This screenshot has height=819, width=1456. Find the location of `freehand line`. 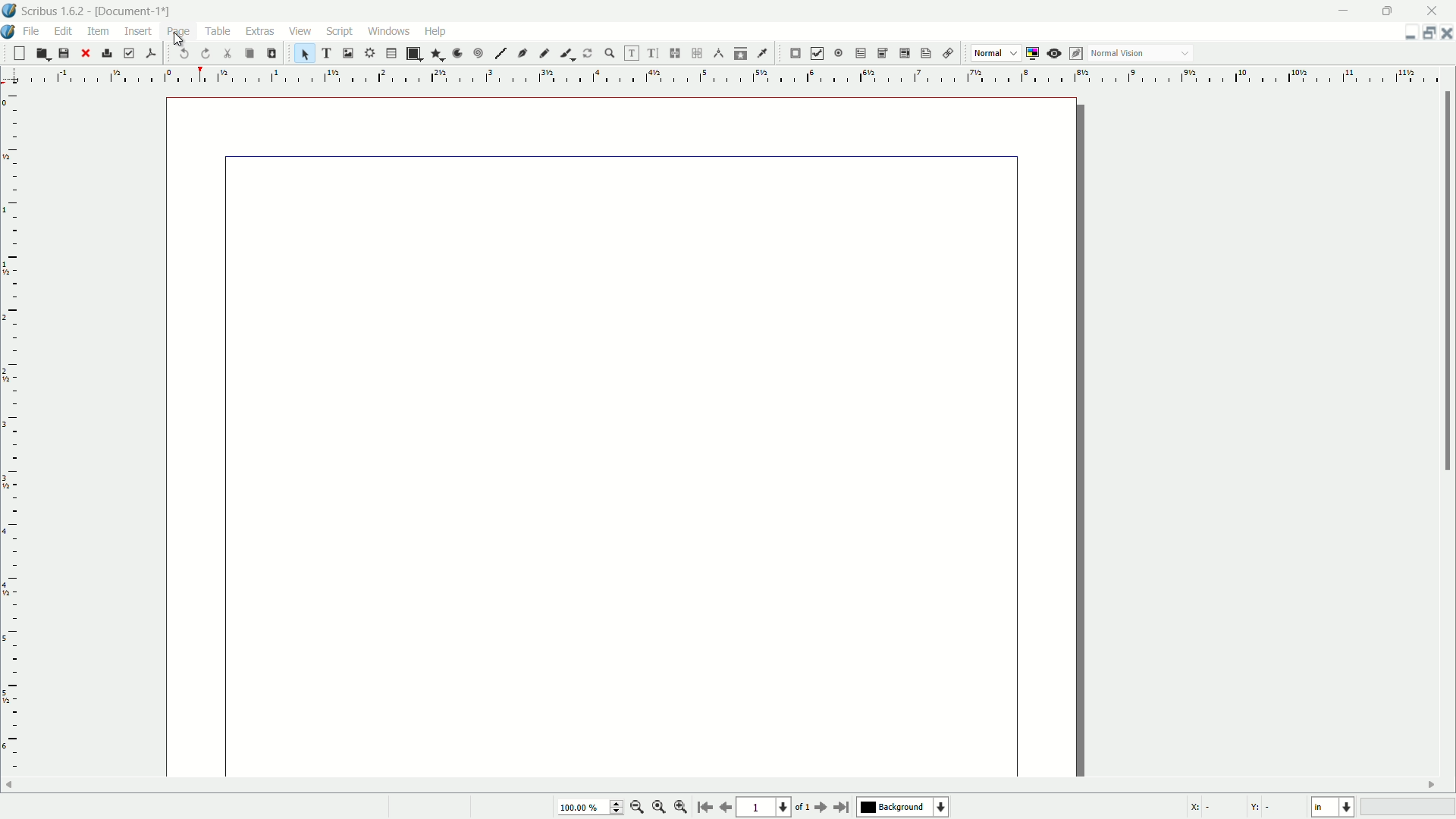

freehand line is located at coordinates (545, 53).